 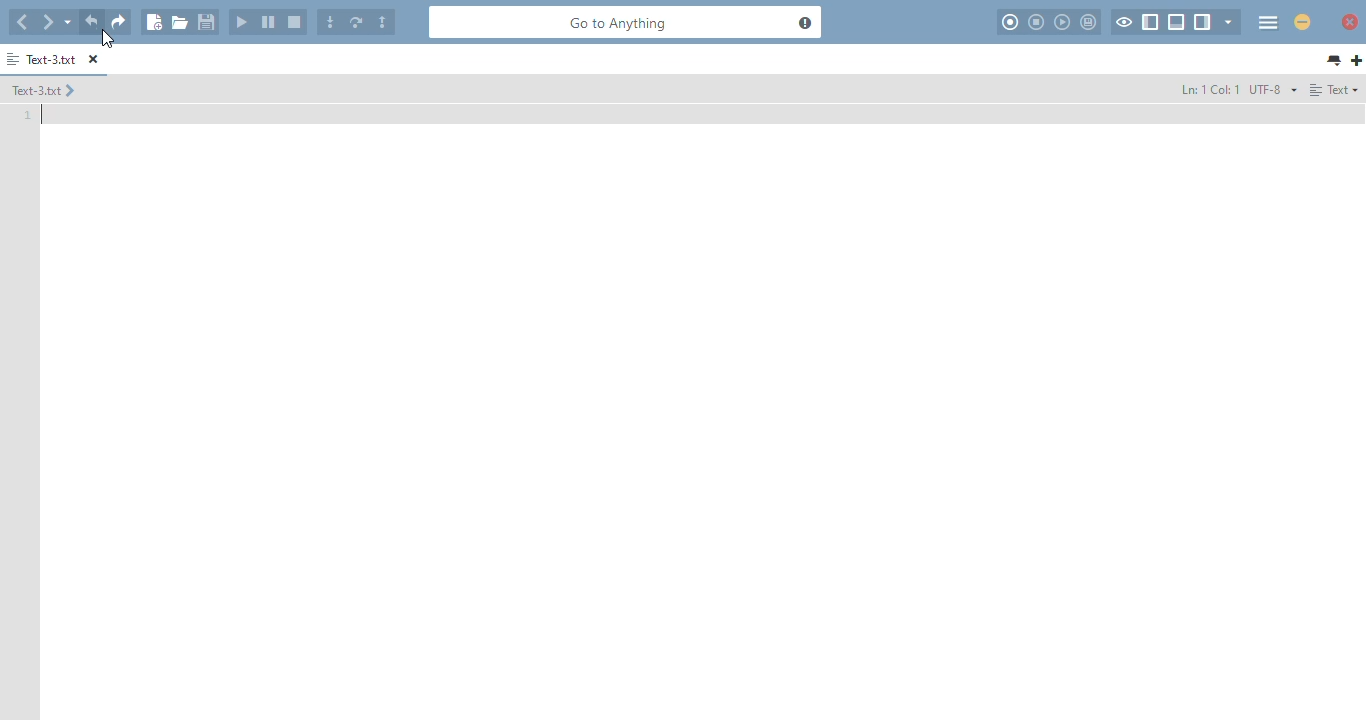 I want to click on recent locations, so click(x=68, y=20).